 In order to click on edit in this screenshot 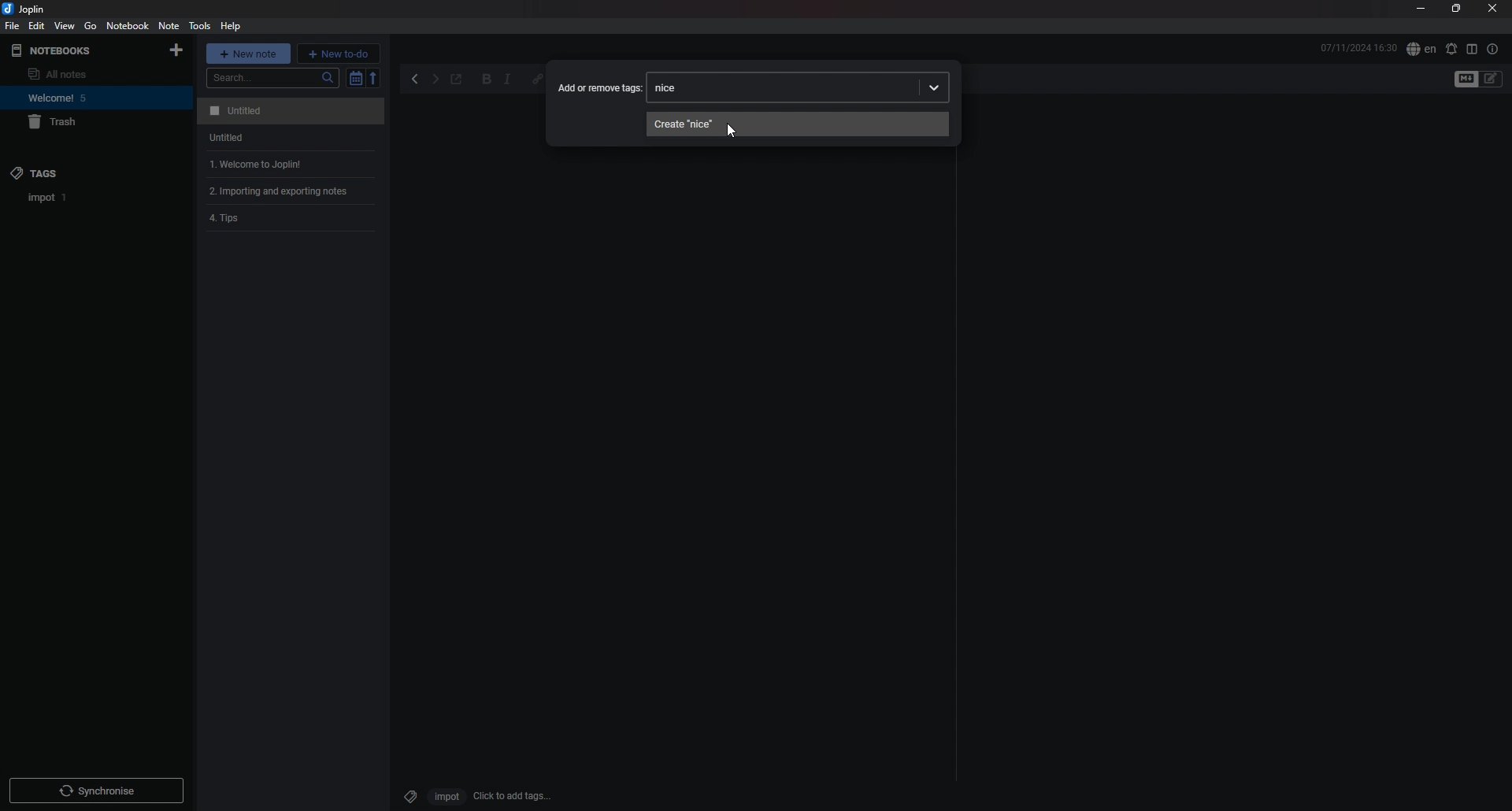, I will do `click(35, 25)`.